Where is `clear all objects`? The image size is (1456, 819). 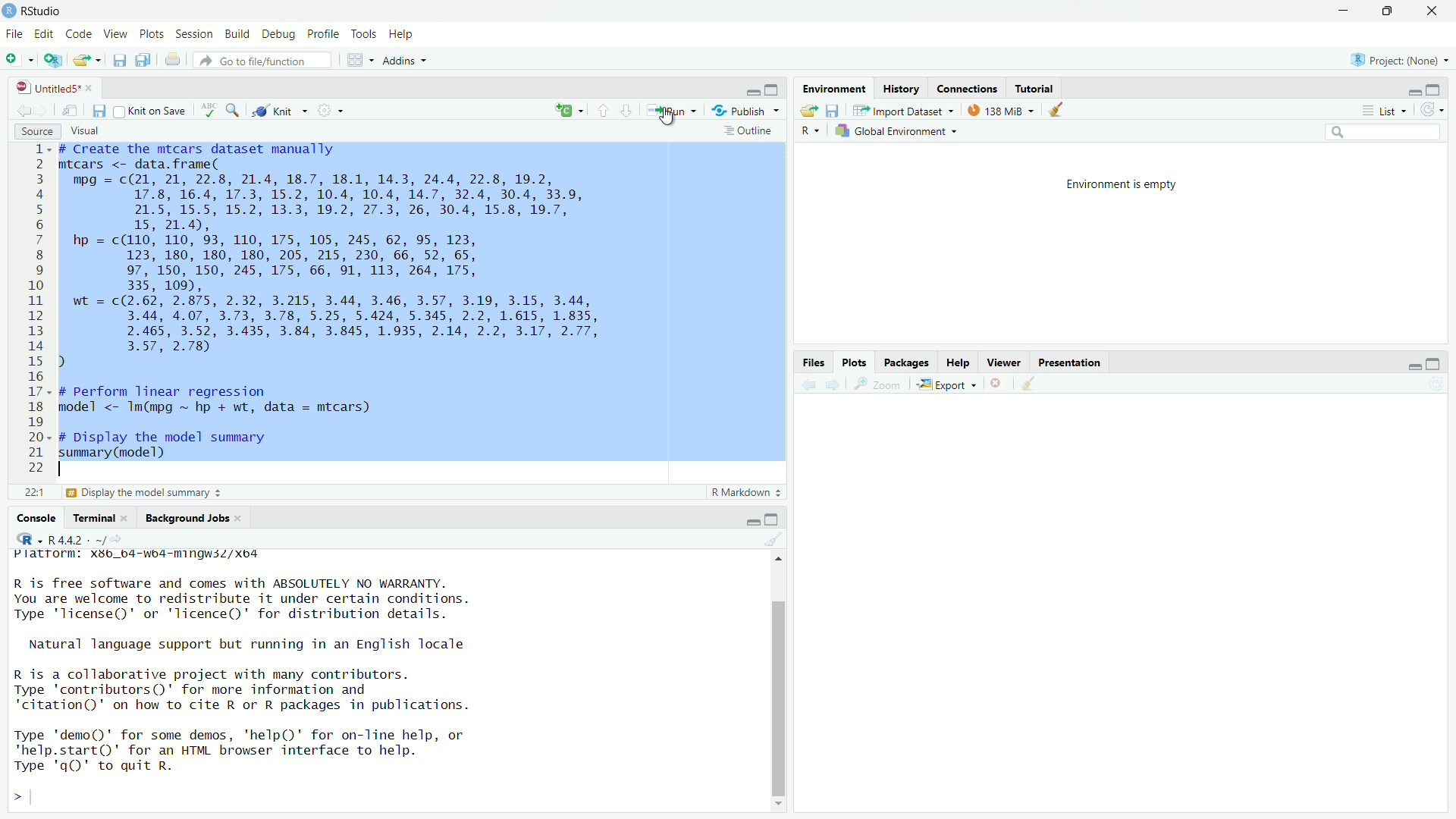 clear all objects is located at coordinates (1063, 110).